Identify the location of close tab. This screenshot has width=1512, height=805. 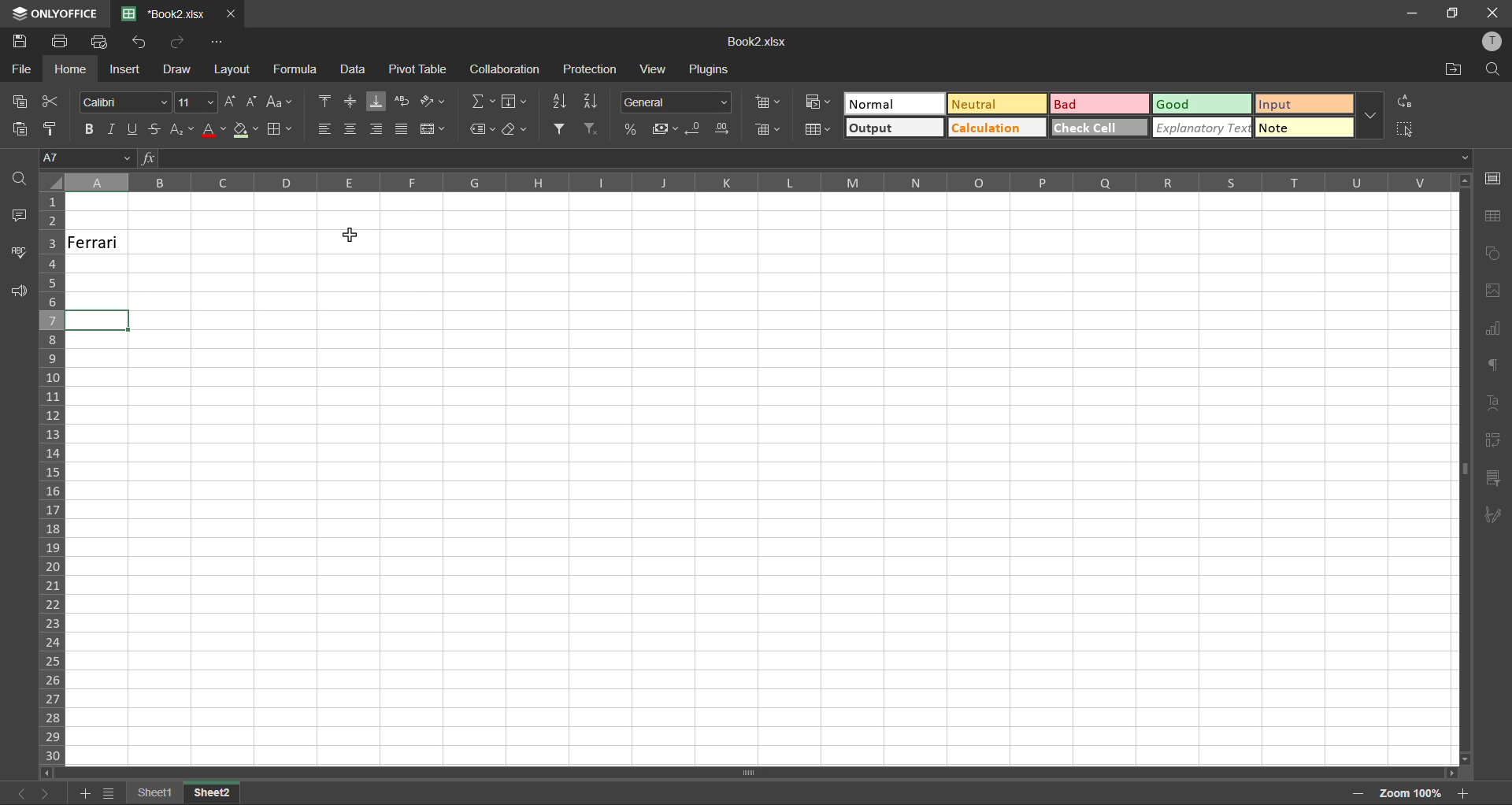
(232, 14).